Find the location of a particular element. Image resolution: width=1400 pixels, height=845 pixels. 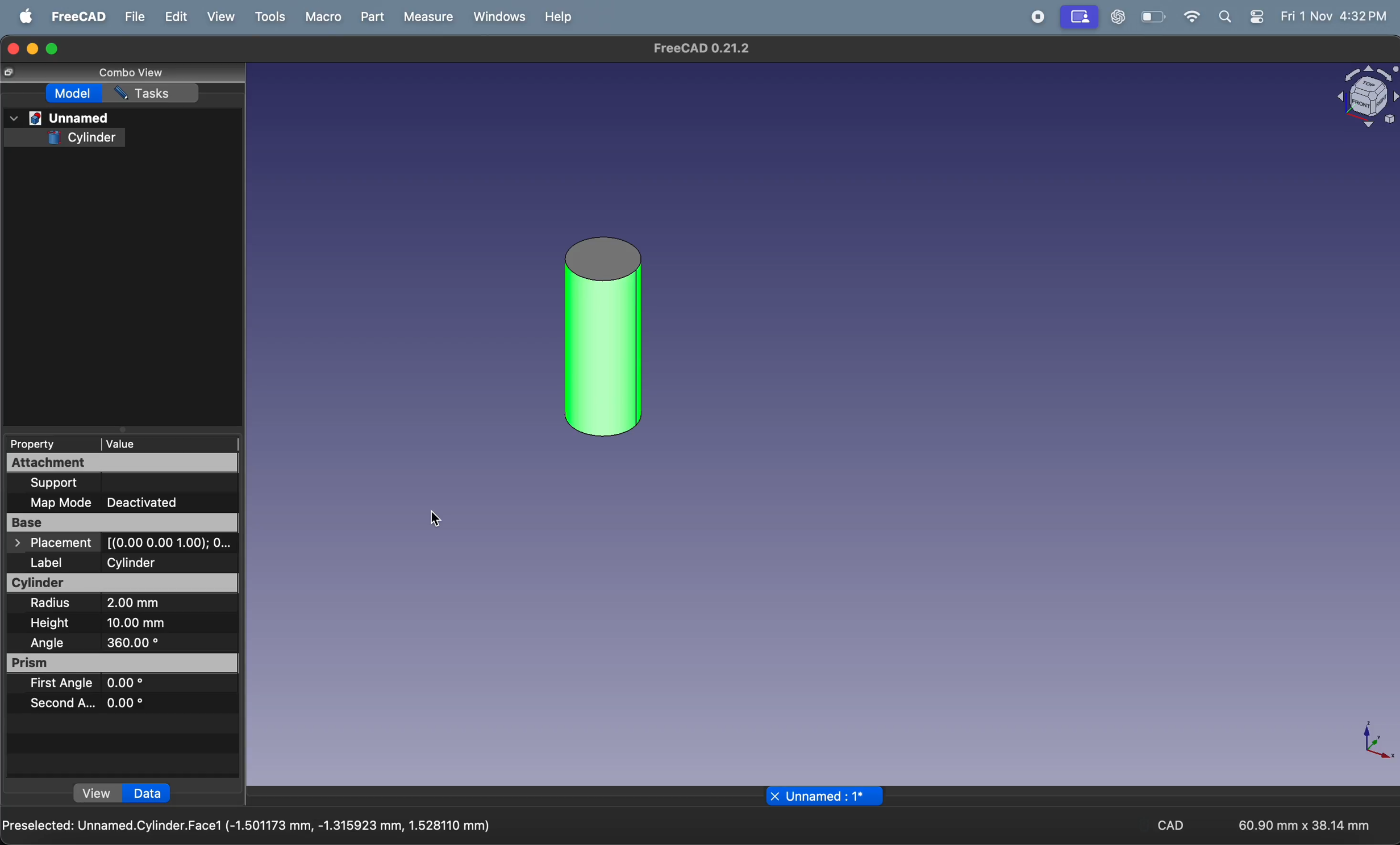

angle is located at coordinates (47, 643).